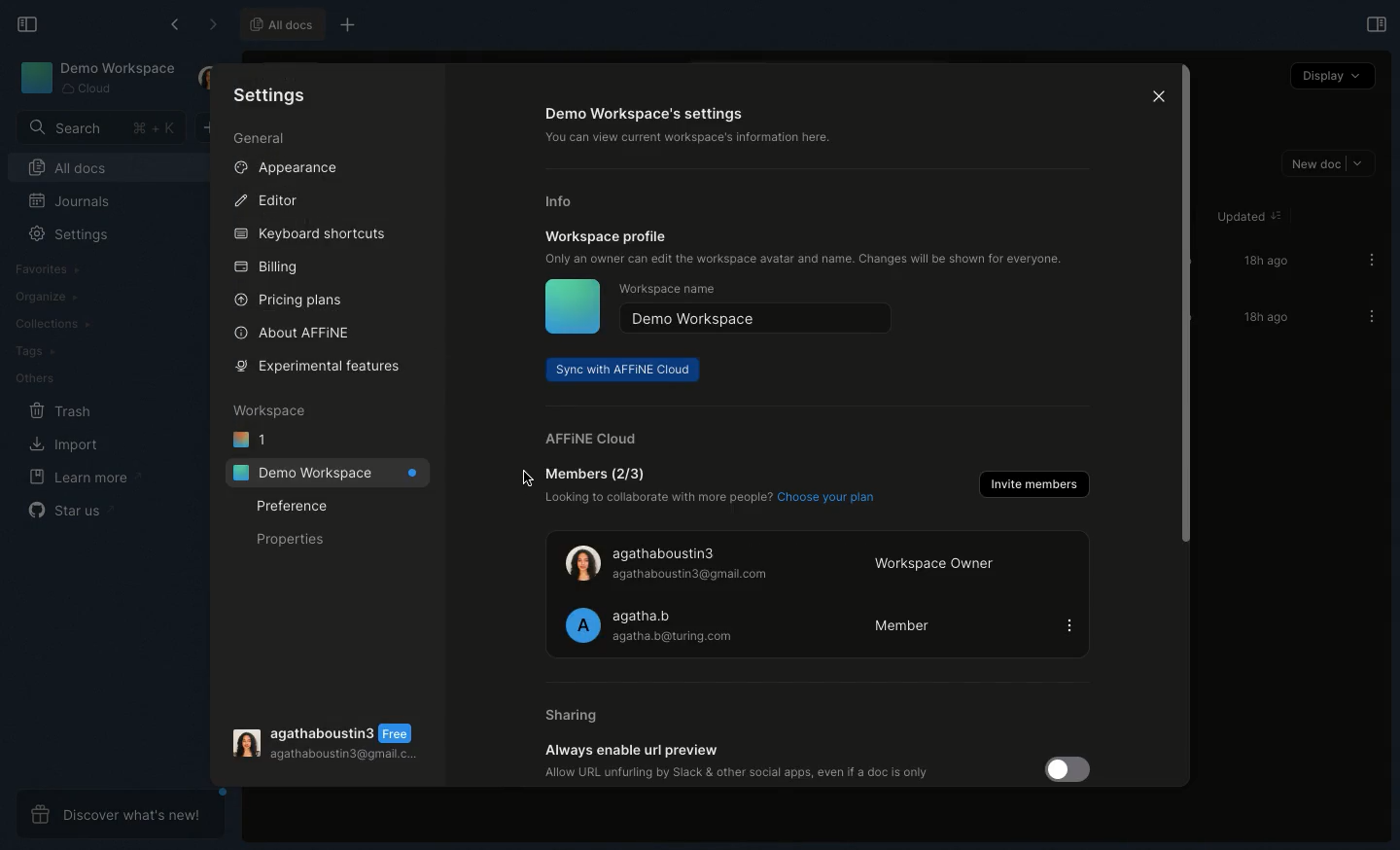 This screenshot has height=850, width=1400. I want to click on Journals, so click(62, 201).